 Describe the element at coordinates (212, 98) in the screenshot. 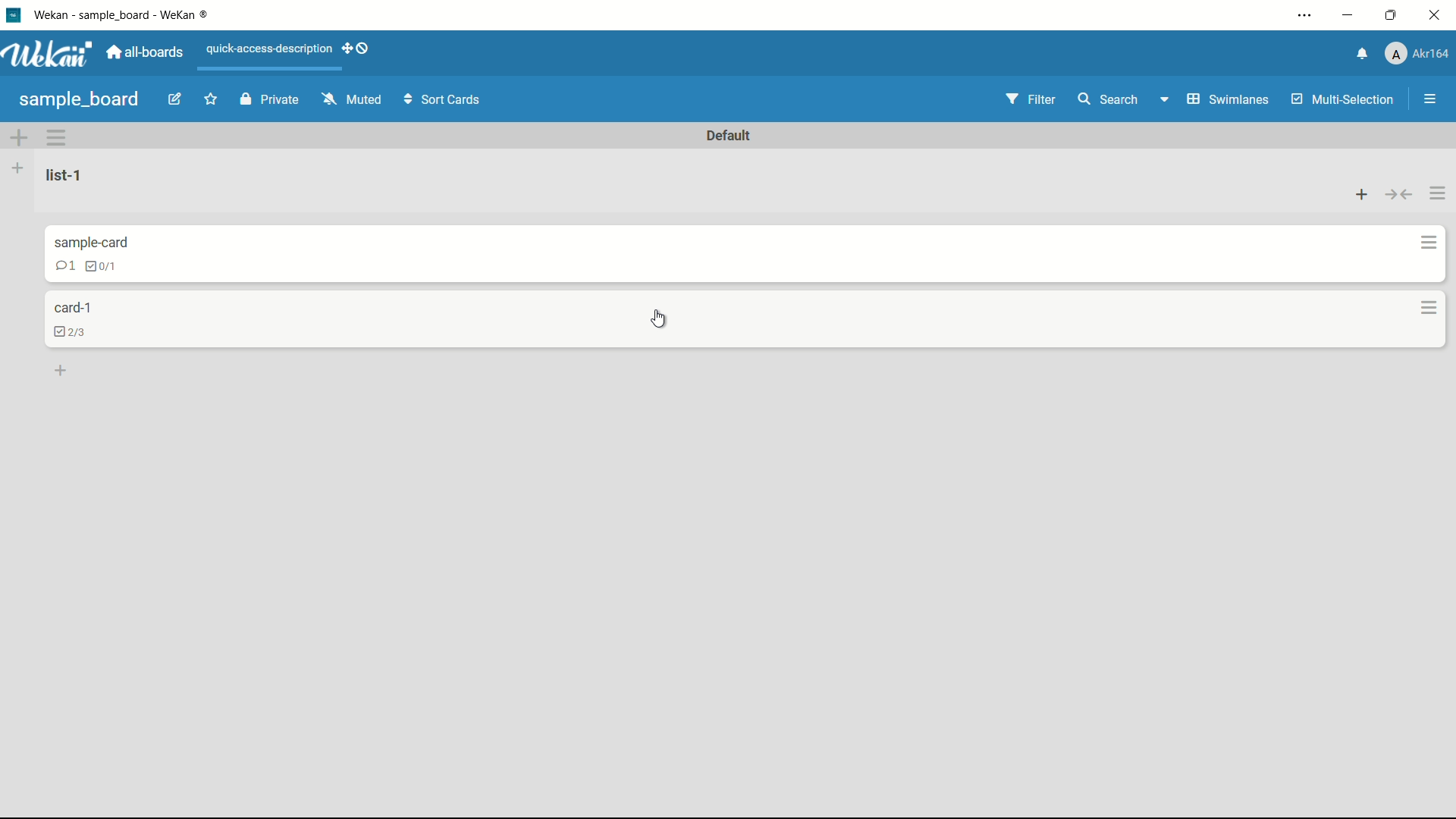

I see `favorites` at that location.